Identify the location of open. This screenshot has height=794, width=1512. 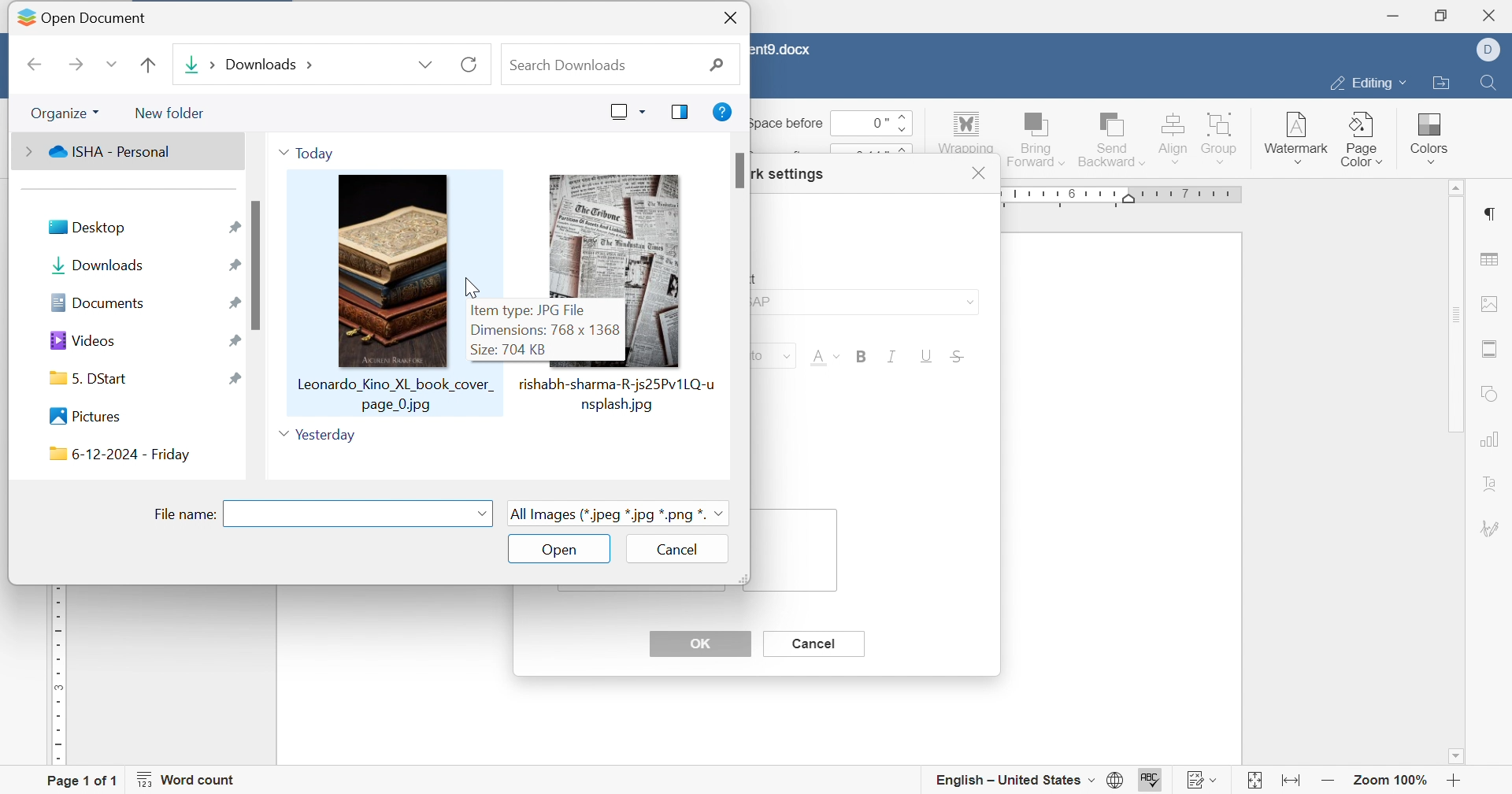
(558, 550).